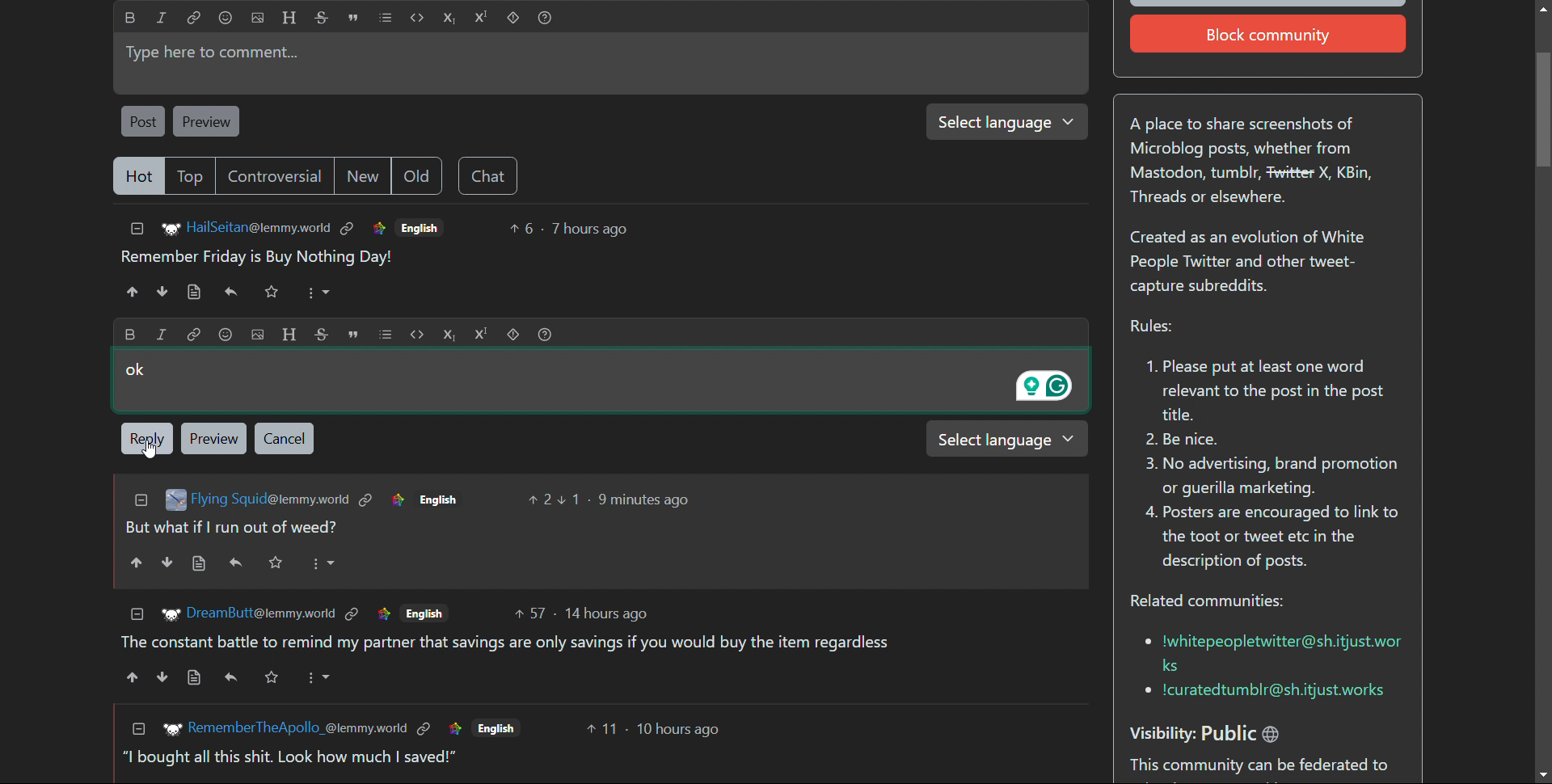 The height and width of the screenshot is (784, 1552). Describe the element at coordinates (1270, 692) in the screenshot. I see `e Icuratedtumblr@sh.itjust.works` at that location.